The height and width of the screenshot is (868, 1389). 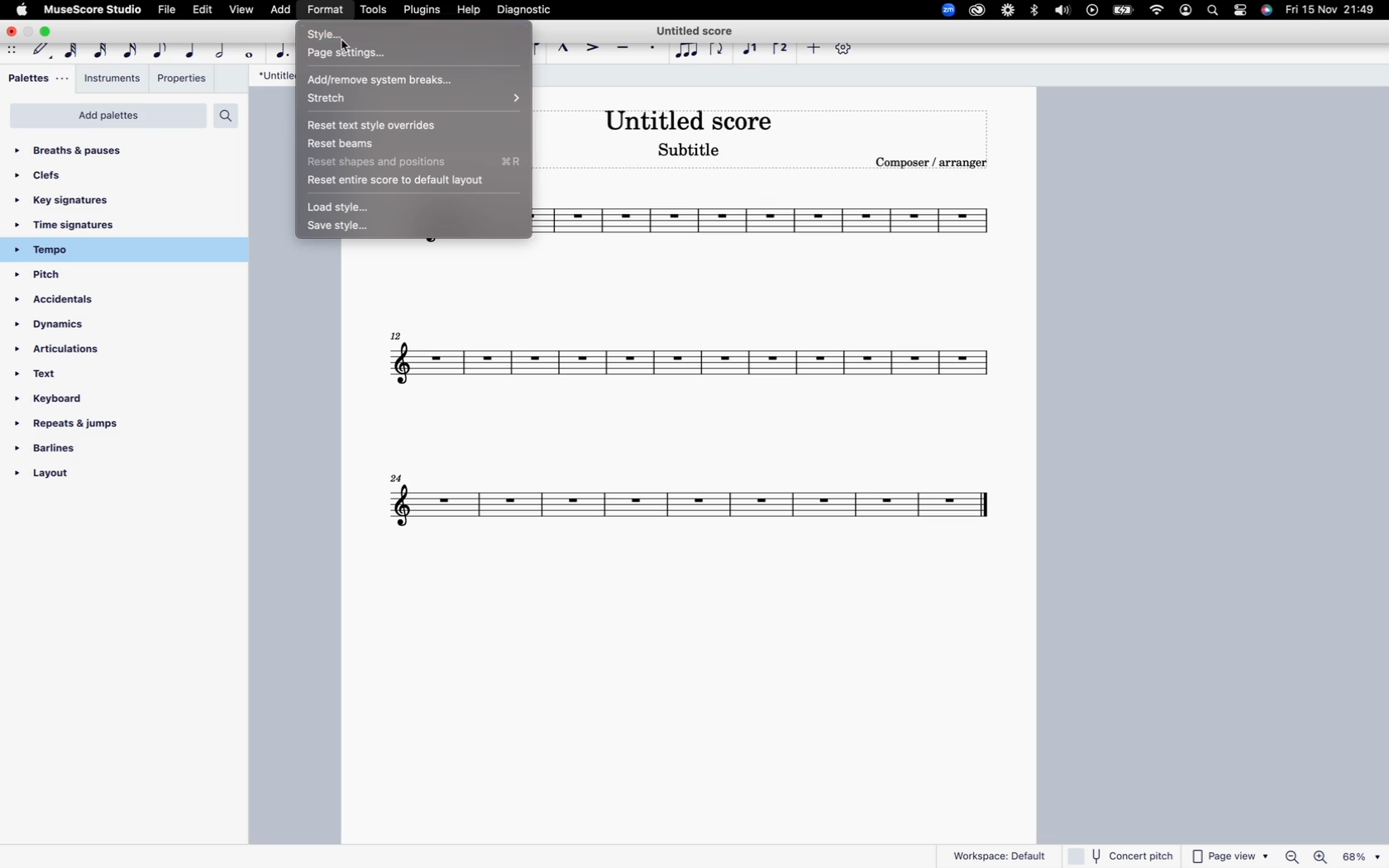 What do you see at coordinates (400, 178) in the screenshot?
I see `reset entire score to default layout` at bounding box center [400, 178].